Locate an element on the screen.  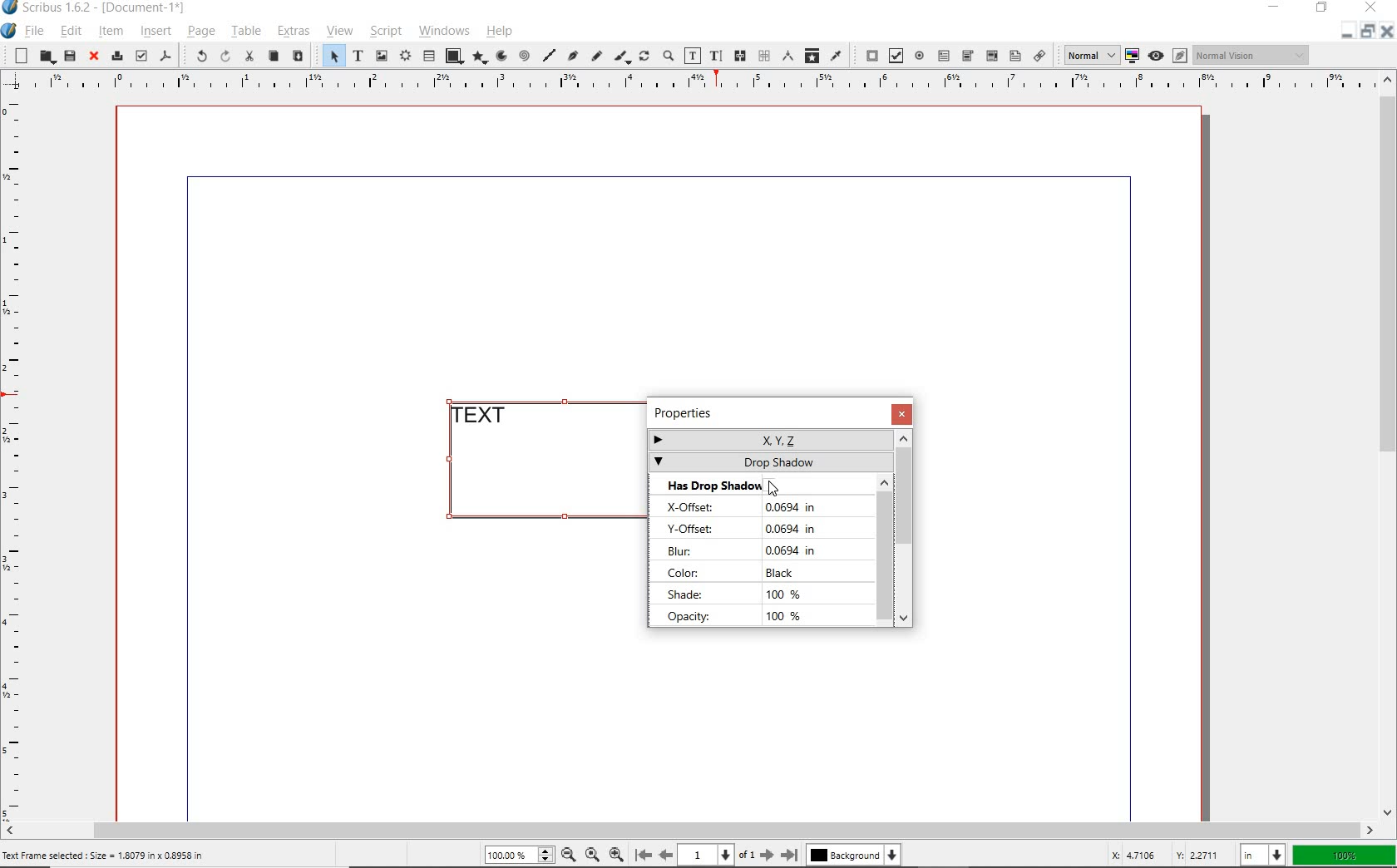
has drop shadow is located at coordinates (738, 486).